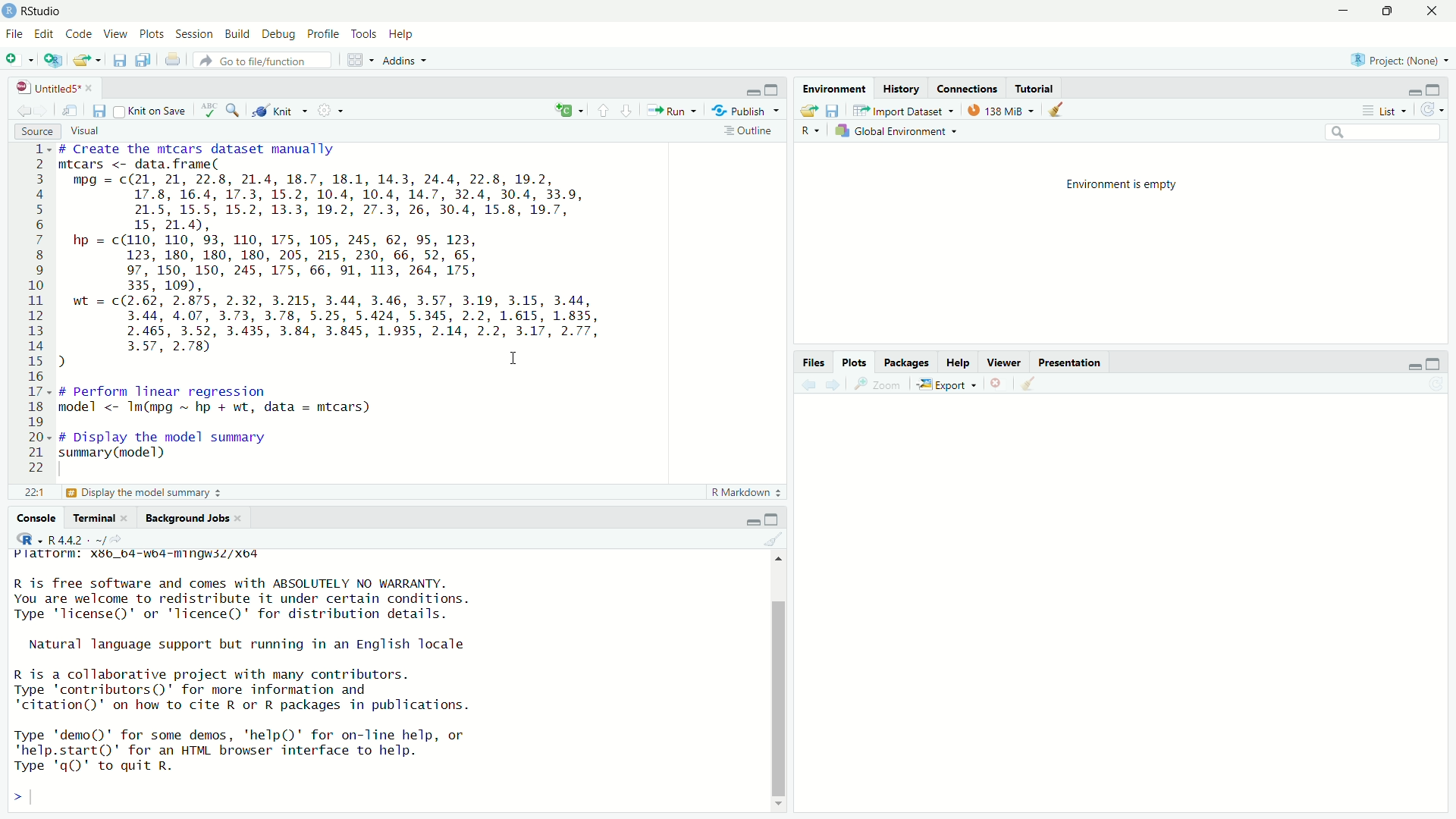  What do you see at coordinates (1434, 11) in the screenshot?
I see `close` at bounding box center [1434, 11].